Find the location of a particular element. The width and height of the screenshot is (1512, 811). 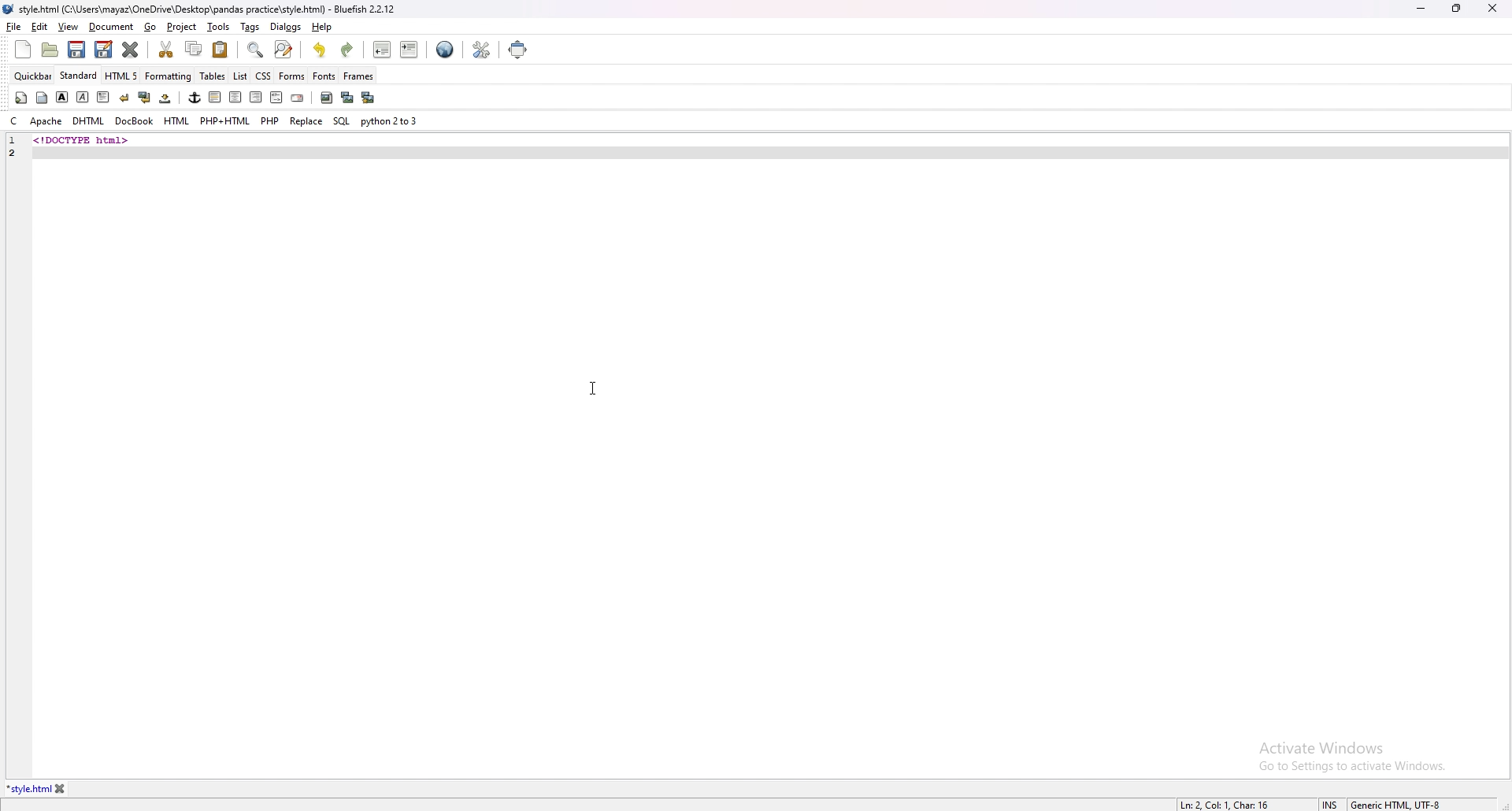

file name is located at coordinates (202, 10).